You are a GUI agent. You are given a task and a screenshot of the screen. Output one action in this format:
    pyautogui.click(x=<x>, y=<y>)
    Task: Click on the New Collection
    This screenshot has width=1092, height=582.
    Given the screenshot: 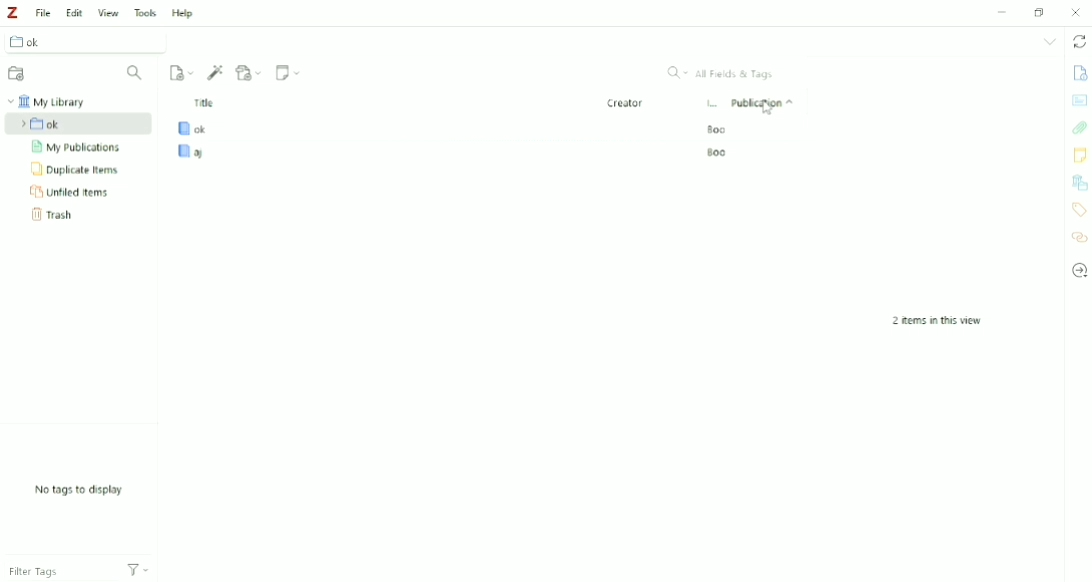 What is the action you would take?
    pyautogui.click(x=20, y=74)
    